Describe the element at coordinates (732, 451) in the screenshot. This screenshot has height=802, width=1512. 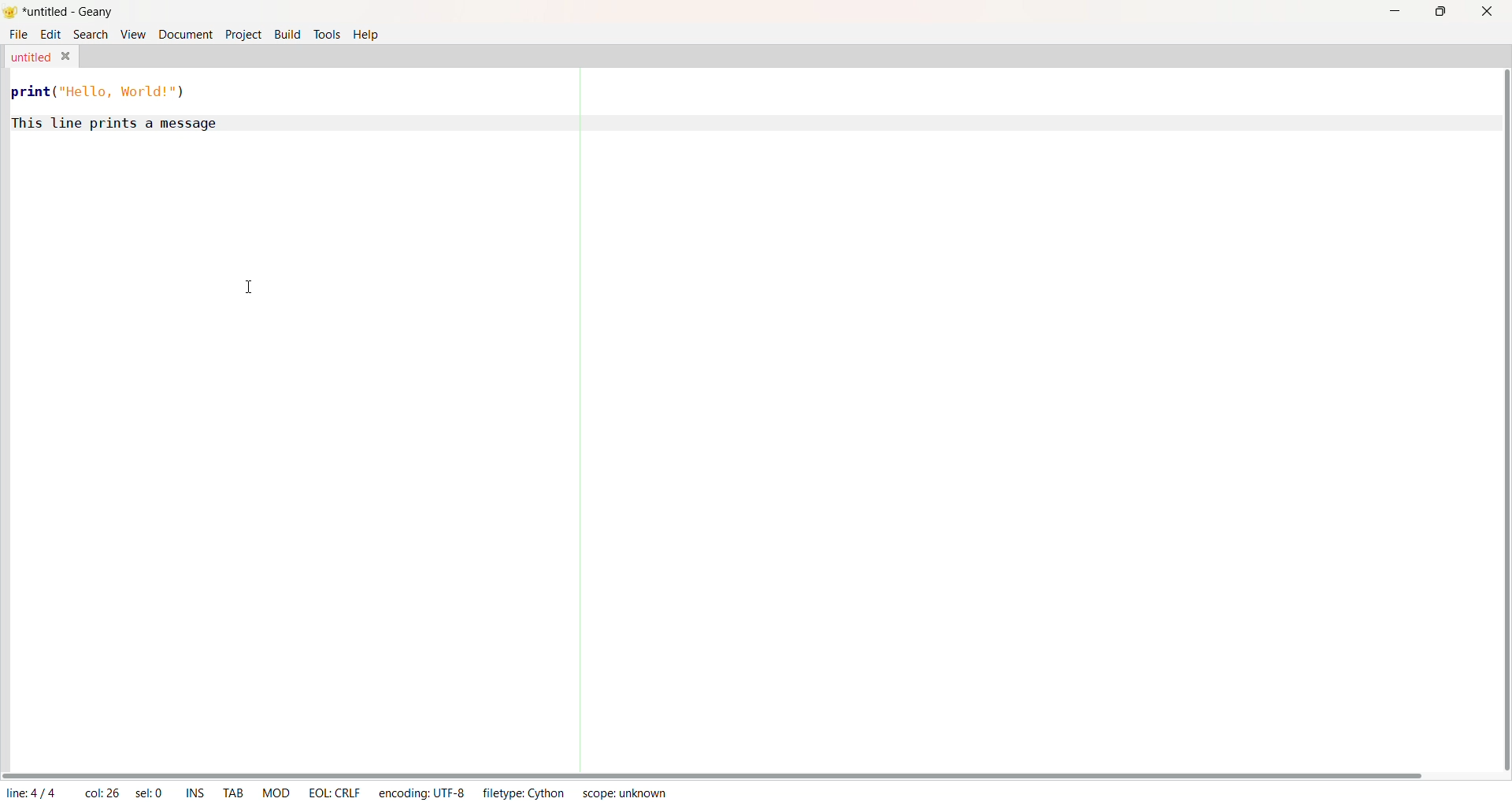
I see `Code Area` at that location.